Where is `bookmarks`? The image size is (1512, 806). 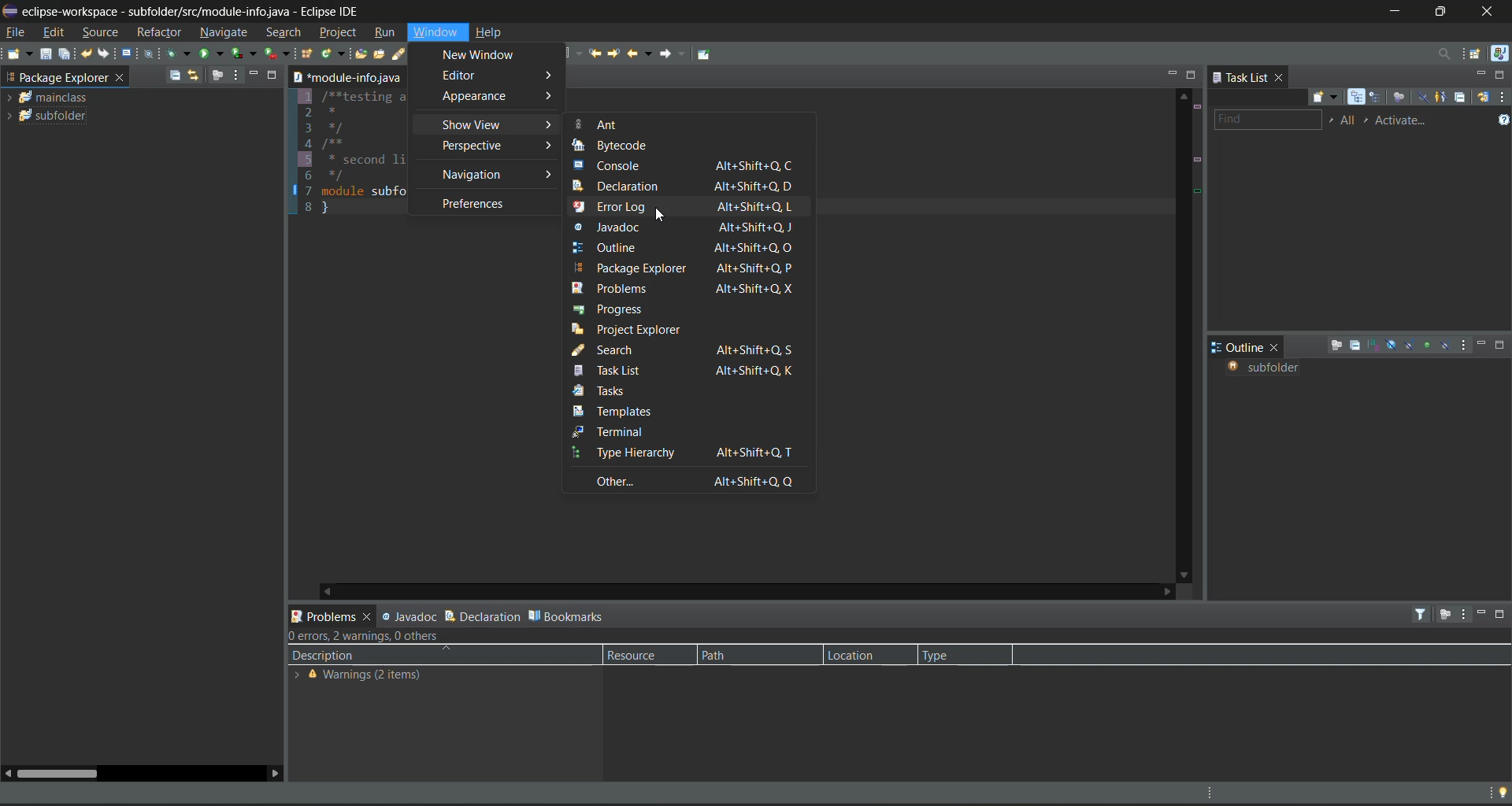
bookmarks is located at coordinates (569, 615).